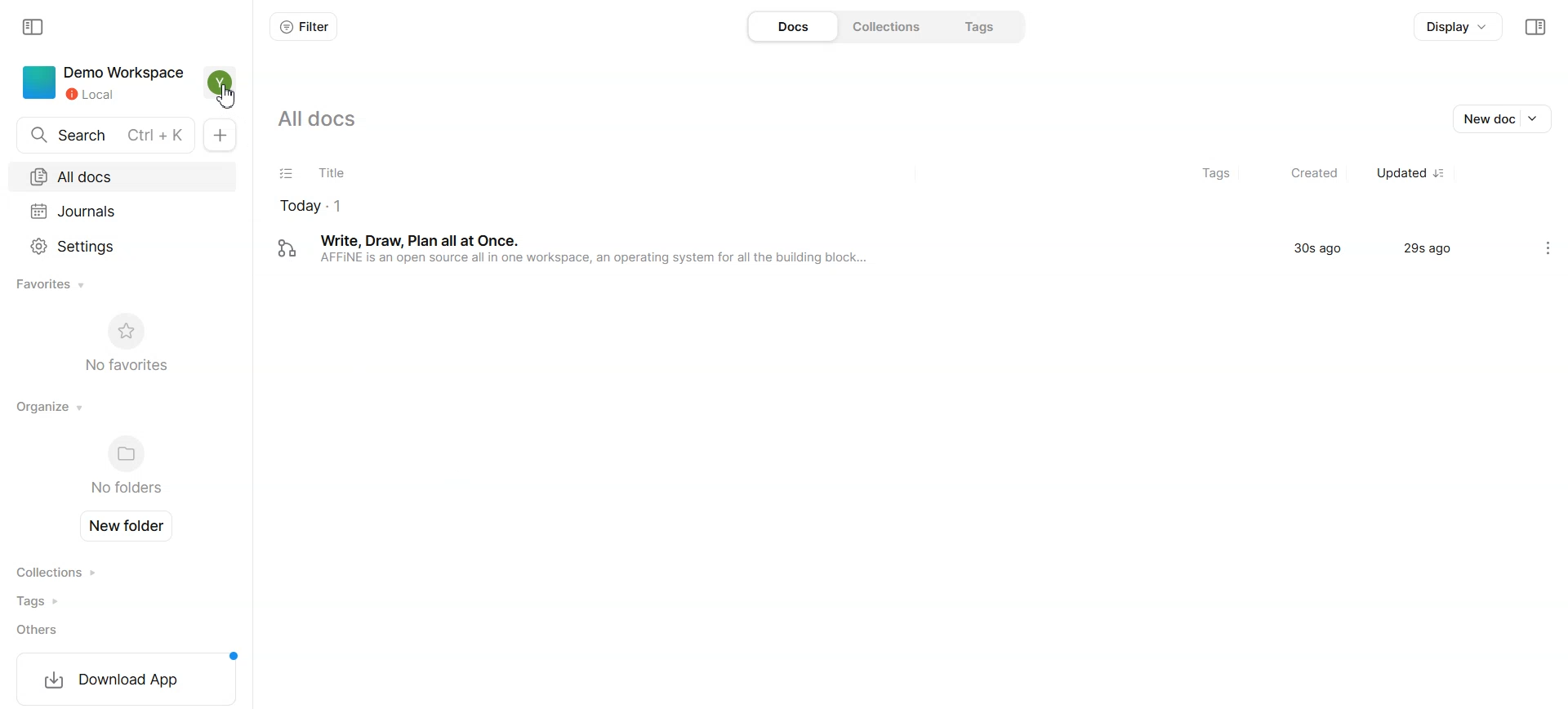 The image size is (1568, 709). What do you see at coordinates (453, 174) in the screenshot?
I see `Title` at bounding box center [453, 174].